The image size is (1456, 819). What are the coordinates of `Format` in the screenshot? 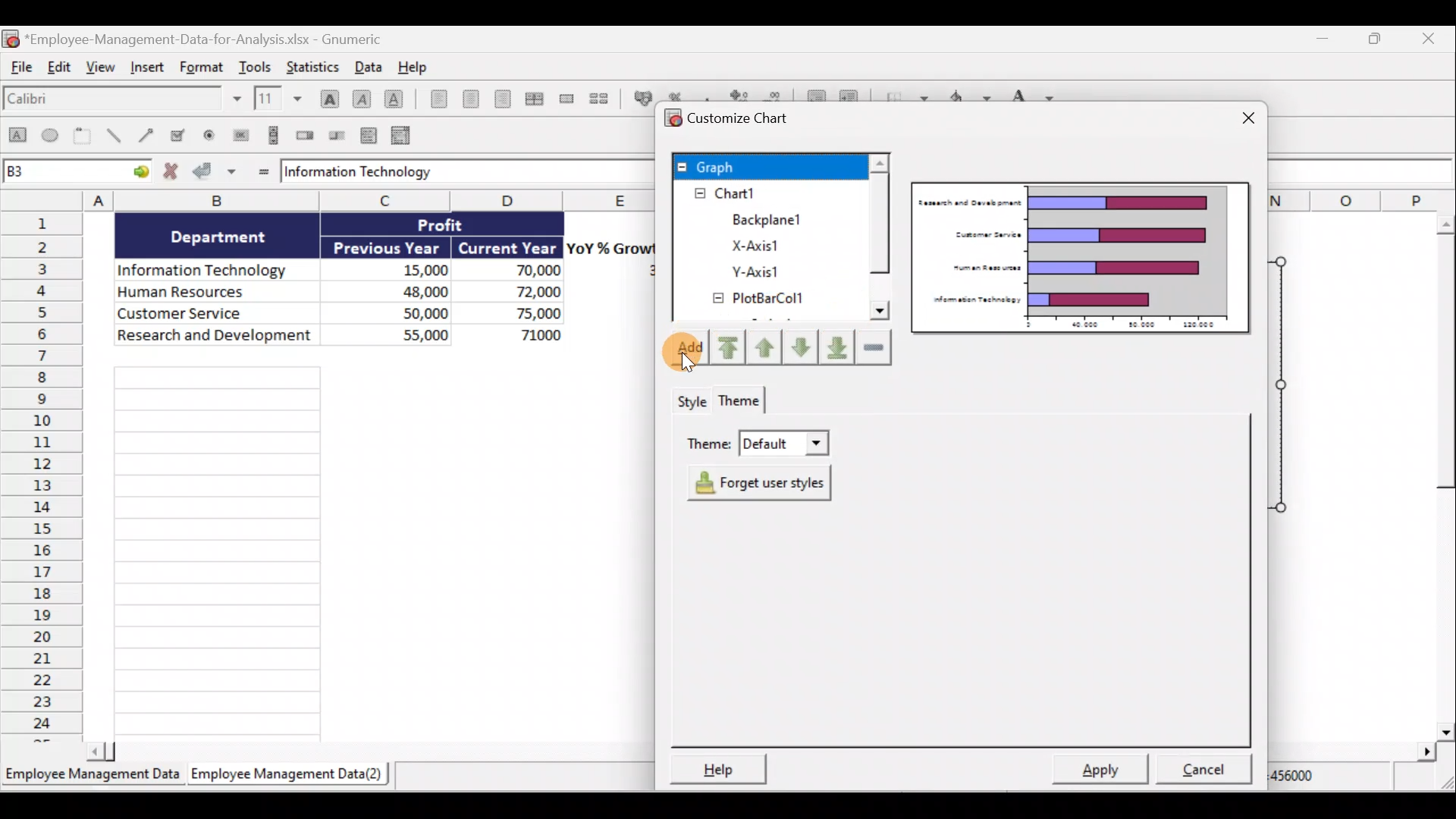 It's located at (205, 65).